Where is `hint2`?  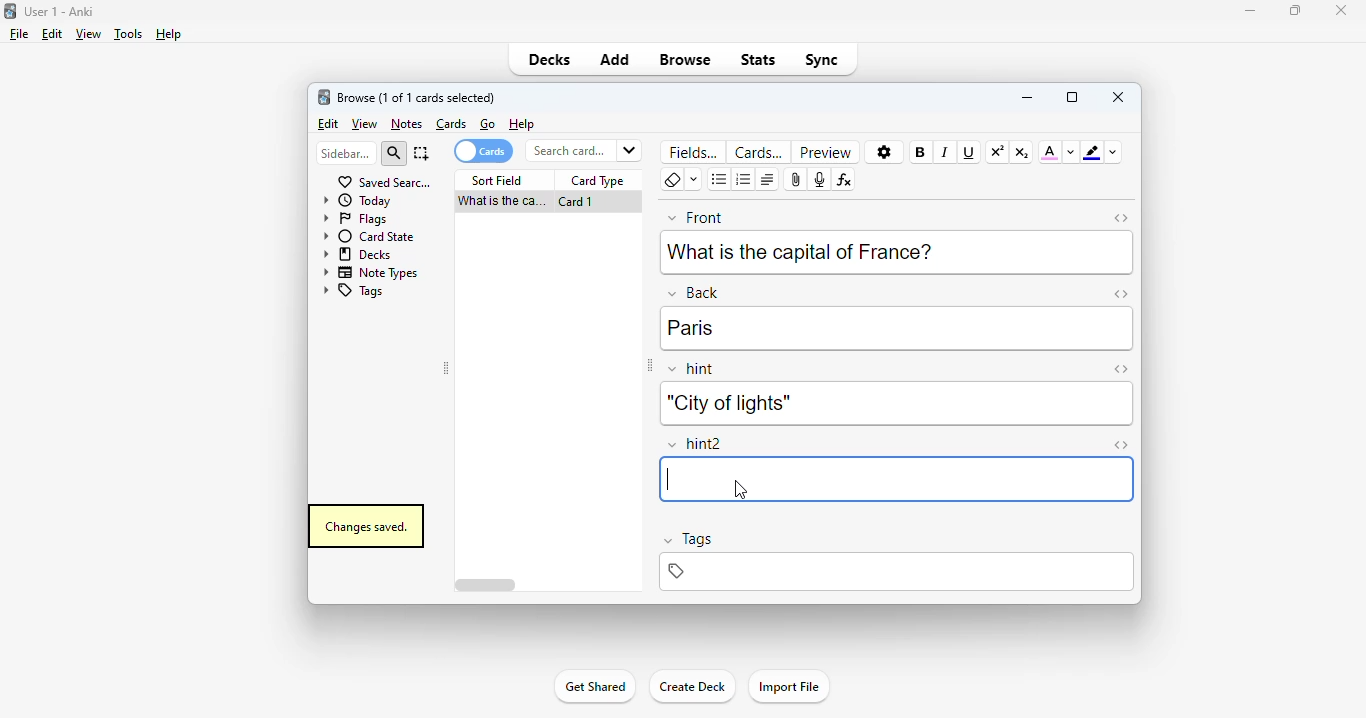 hint2 is located at coordinates (696, 444).